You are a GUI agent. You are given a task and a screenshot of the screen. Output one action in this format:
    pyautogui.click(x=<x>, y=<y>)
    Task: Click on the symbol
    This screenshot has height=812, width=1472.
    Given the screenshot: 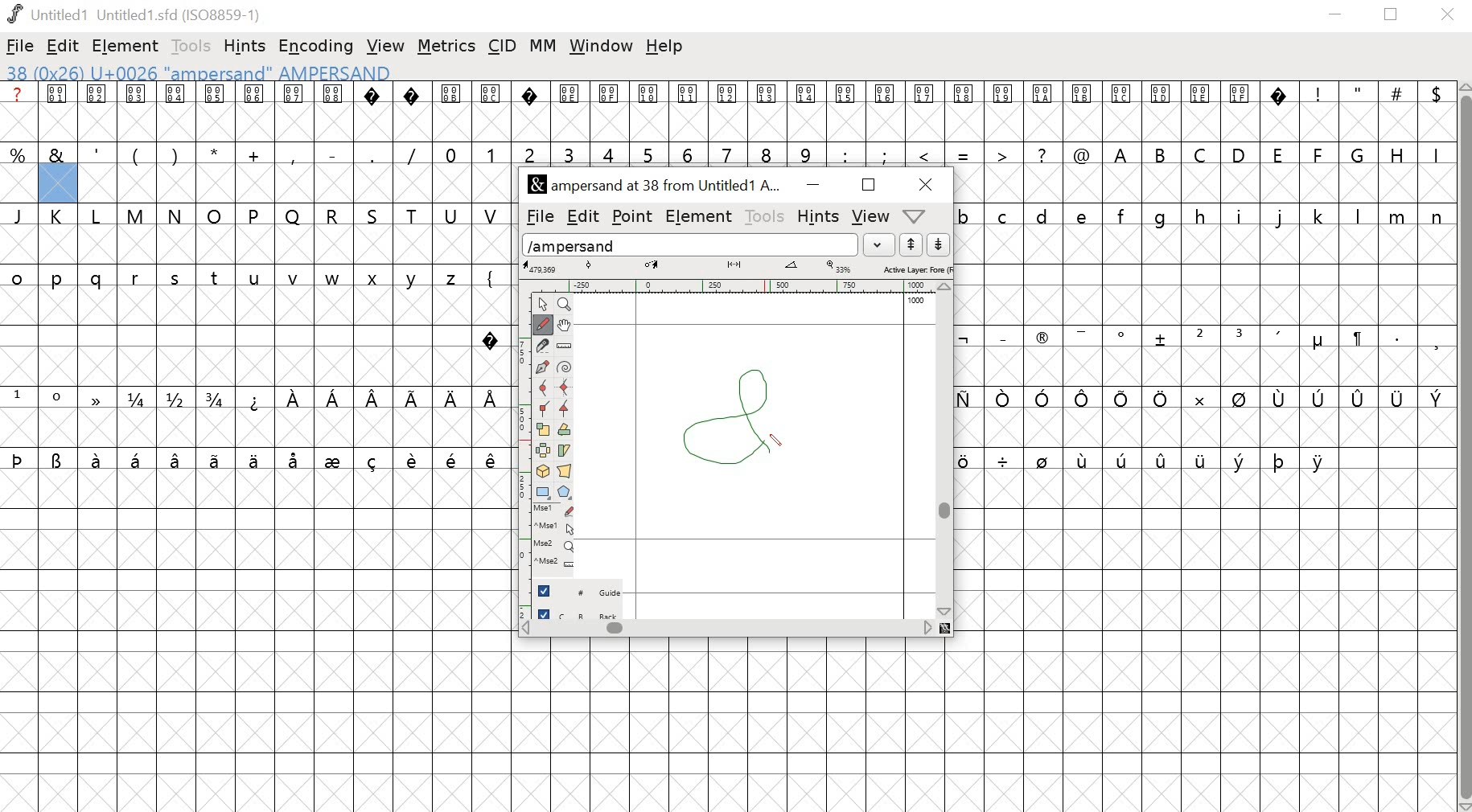 What is the action you would take?
    pyautogui.click(x=1162, y=338)
    